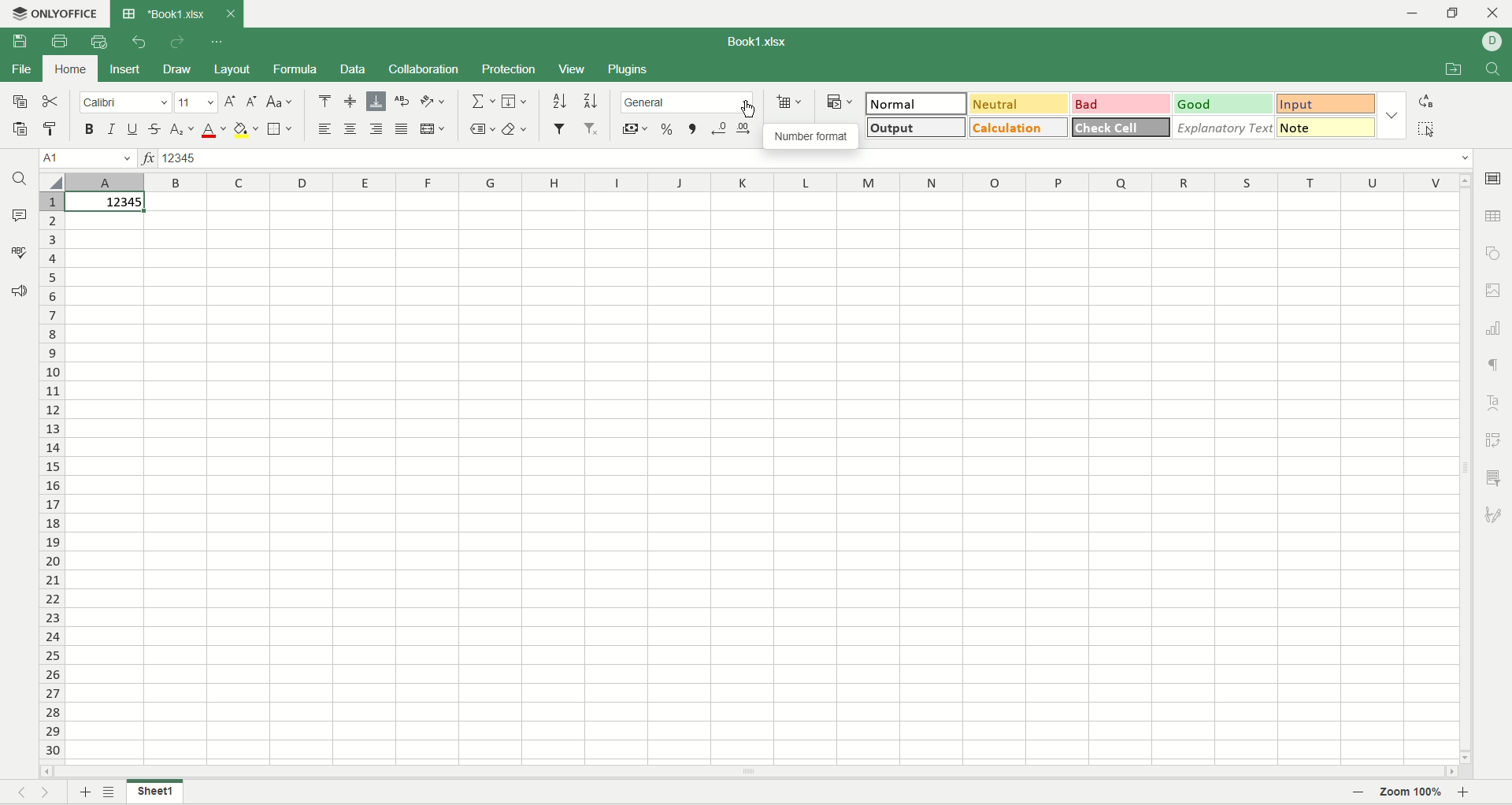  I want to click on align left, so click(328, 130).